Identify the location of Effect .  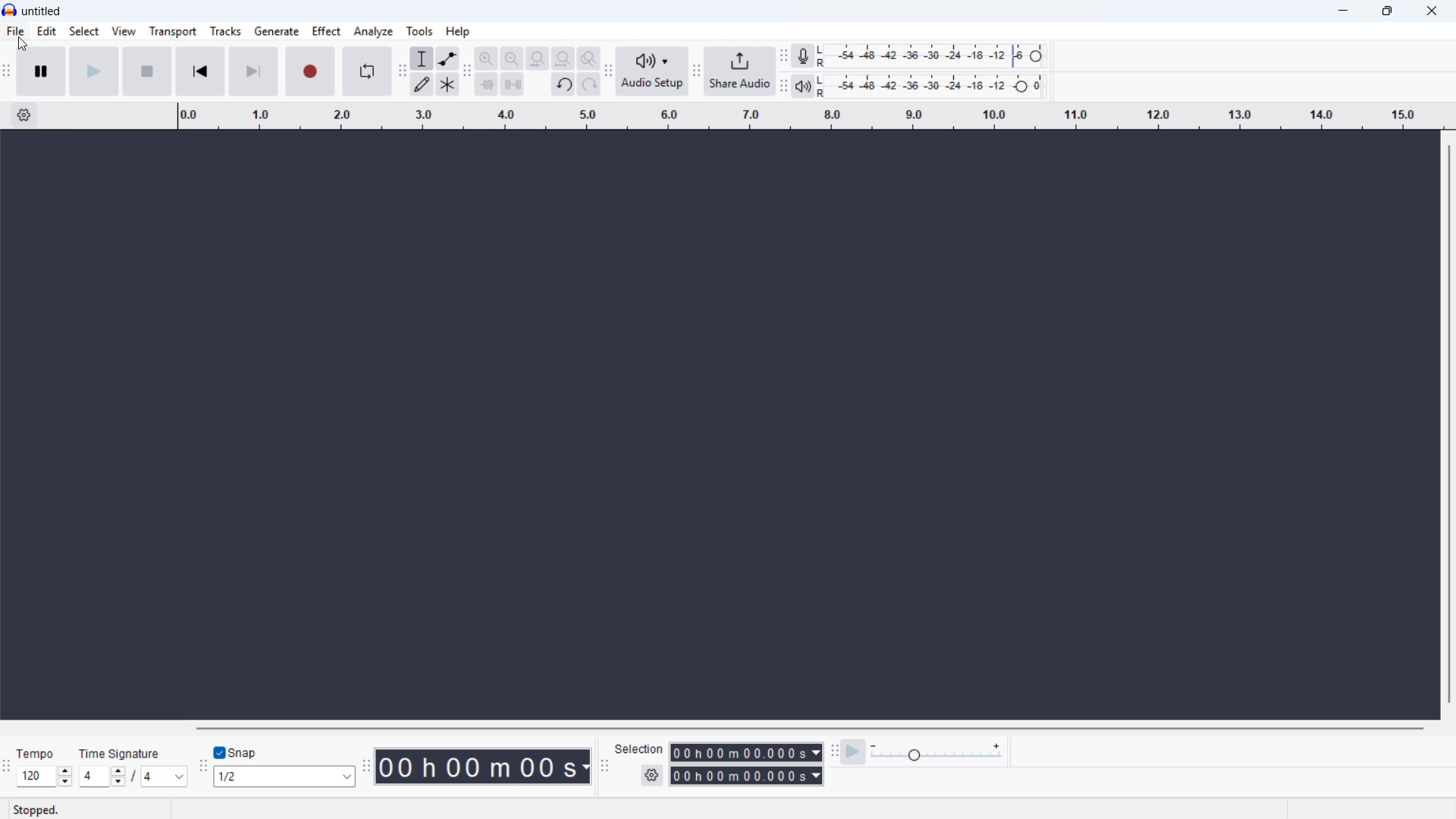
(326, 31).